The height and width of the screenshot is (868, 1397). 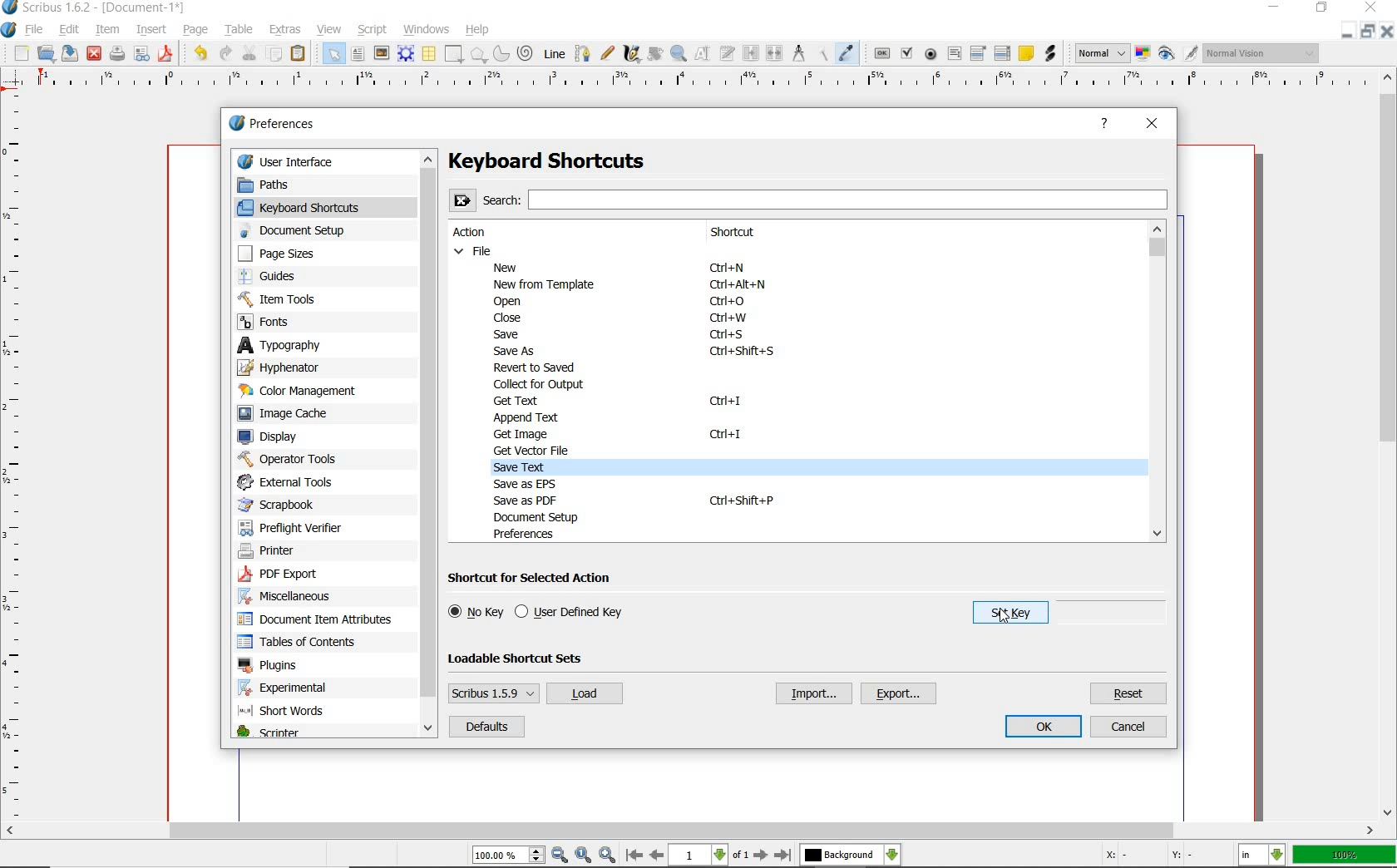 What do you see at coordinates (9, 31) in the screenshot?
I see `system logo` at bounding box center [9, 31].